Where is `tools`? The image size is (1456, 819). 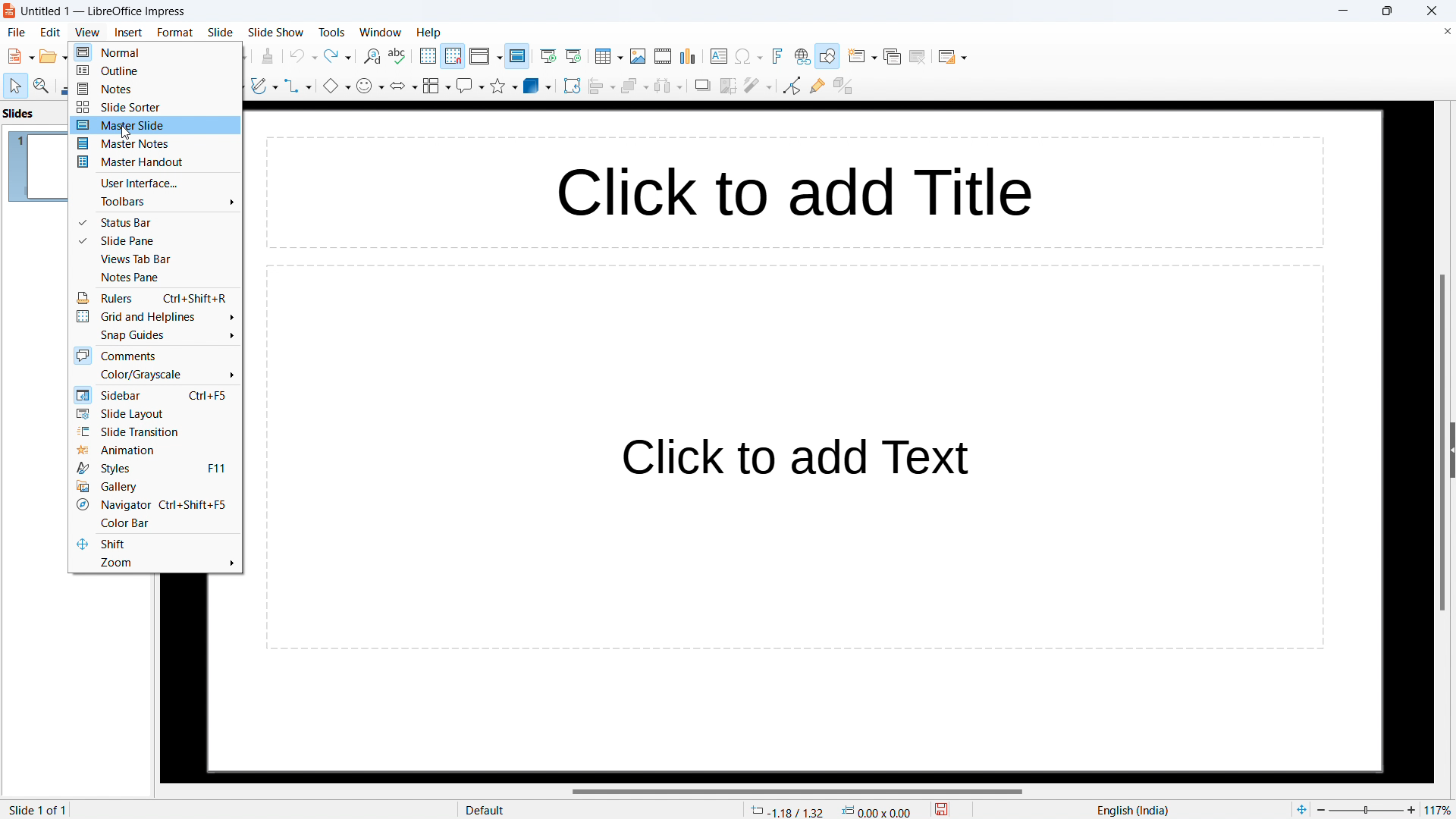 tools is located at coordinates (332, 33).